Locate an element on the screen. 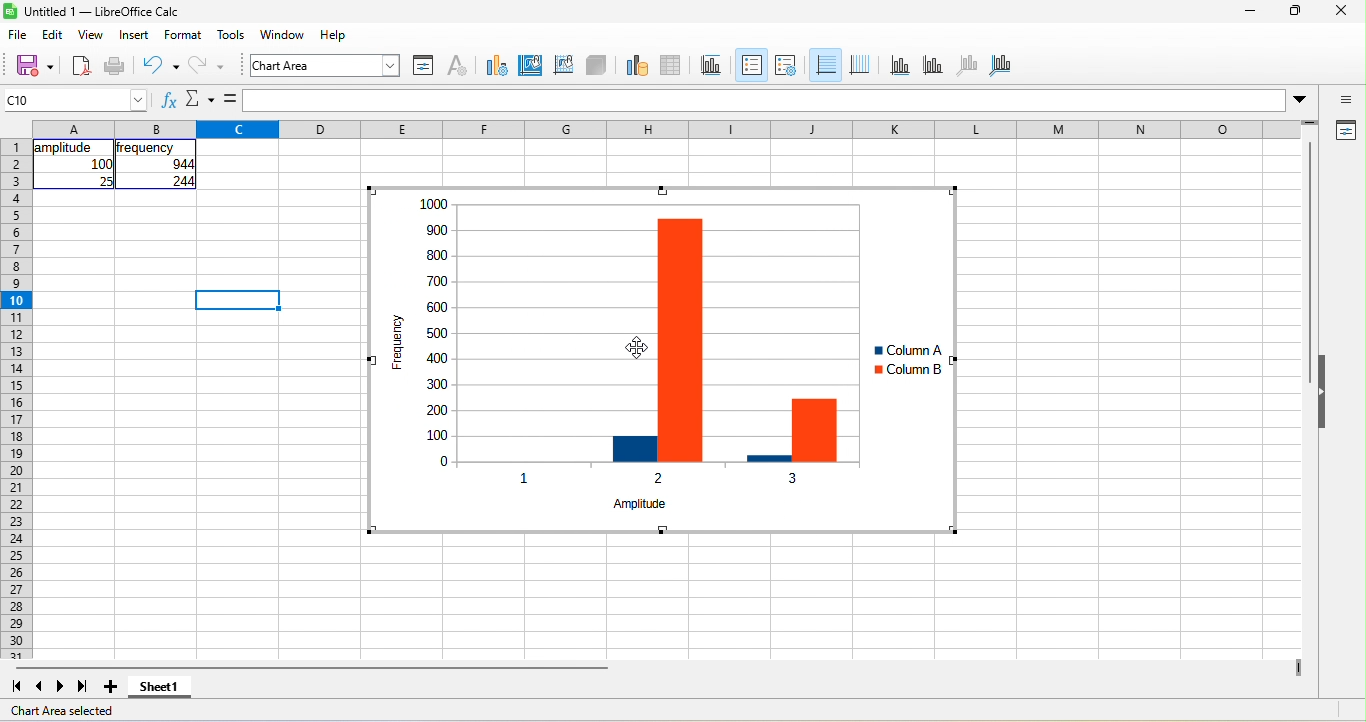  sidebar settings is located at coordinates (1344, 99).